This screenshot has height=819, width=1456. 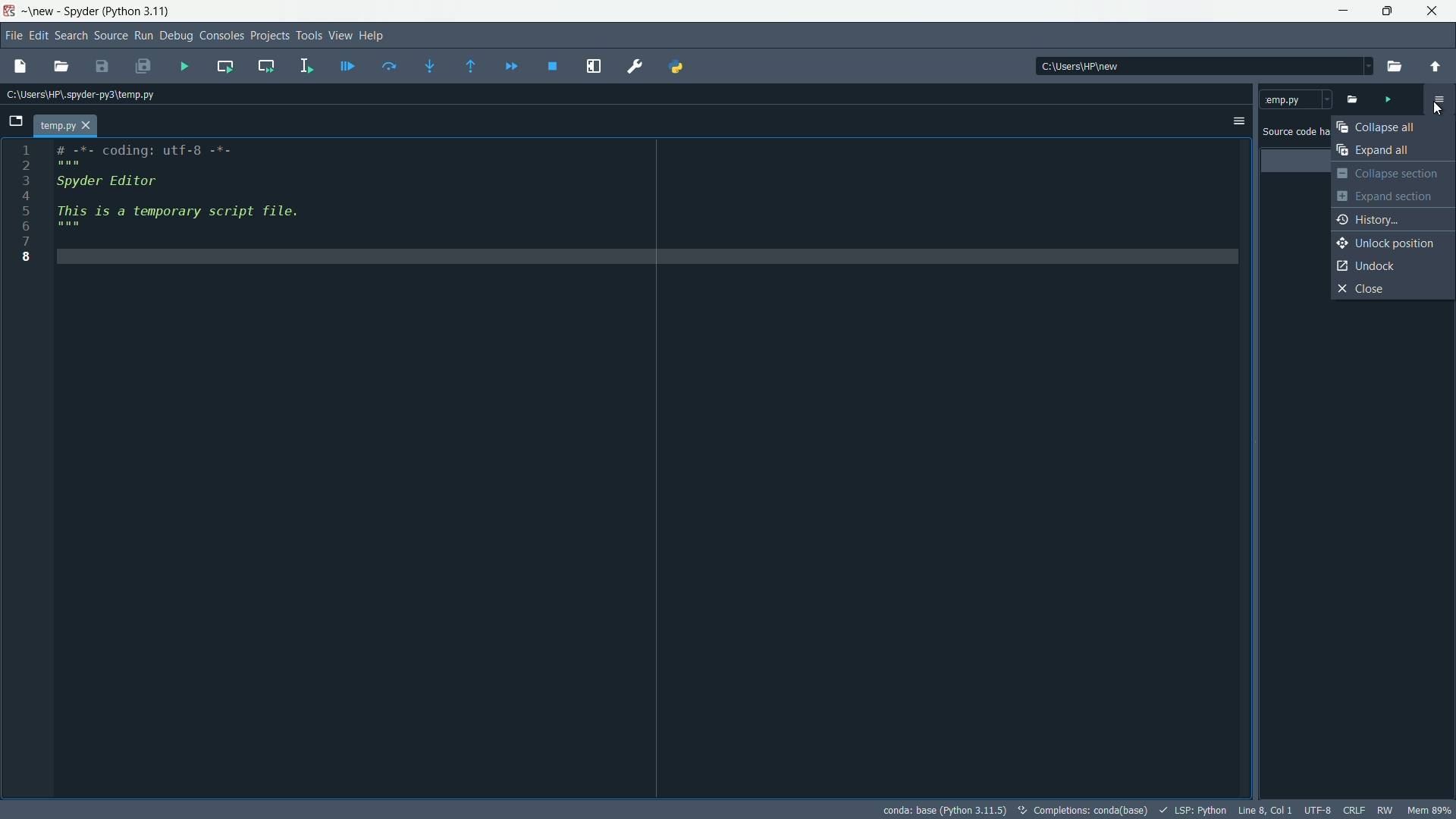 What do you see at coordinates (1194, 810) in the screenshot?
I see `LSP:Python` at bounding box center [1194, 810].